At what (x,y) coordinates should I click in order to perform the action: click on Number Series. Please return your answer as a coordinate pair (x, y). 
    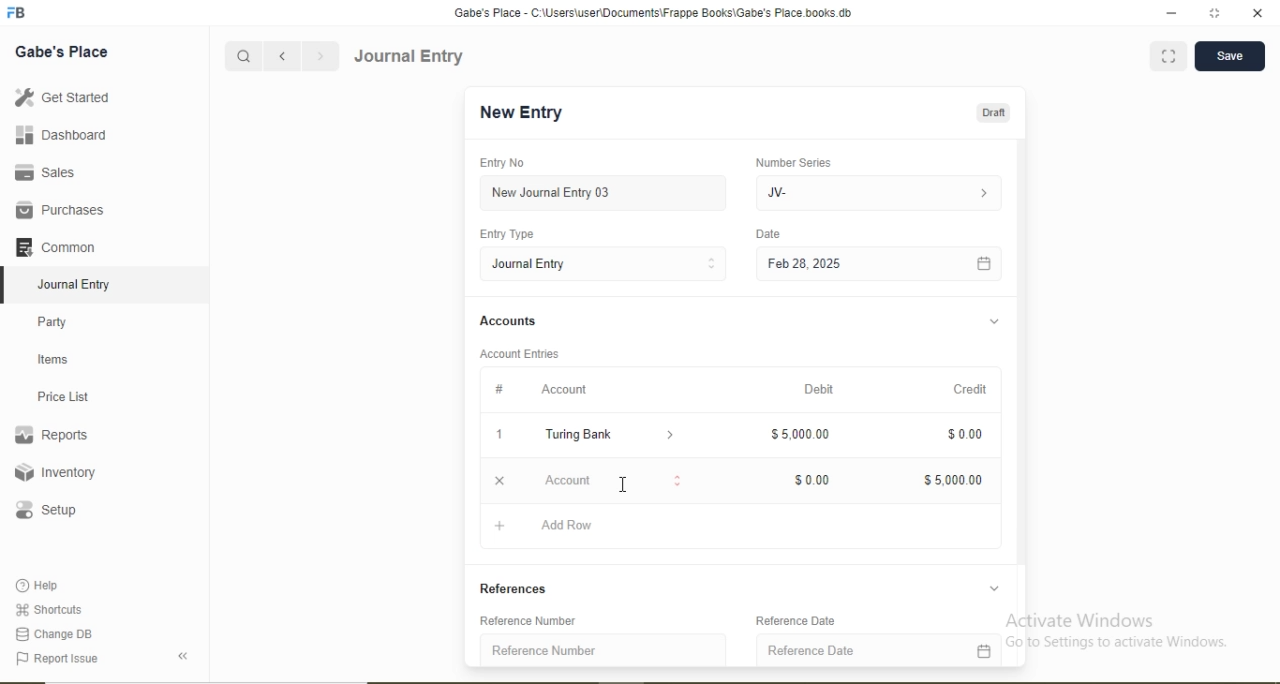
    Looking at the image, I should click on (793, 163).